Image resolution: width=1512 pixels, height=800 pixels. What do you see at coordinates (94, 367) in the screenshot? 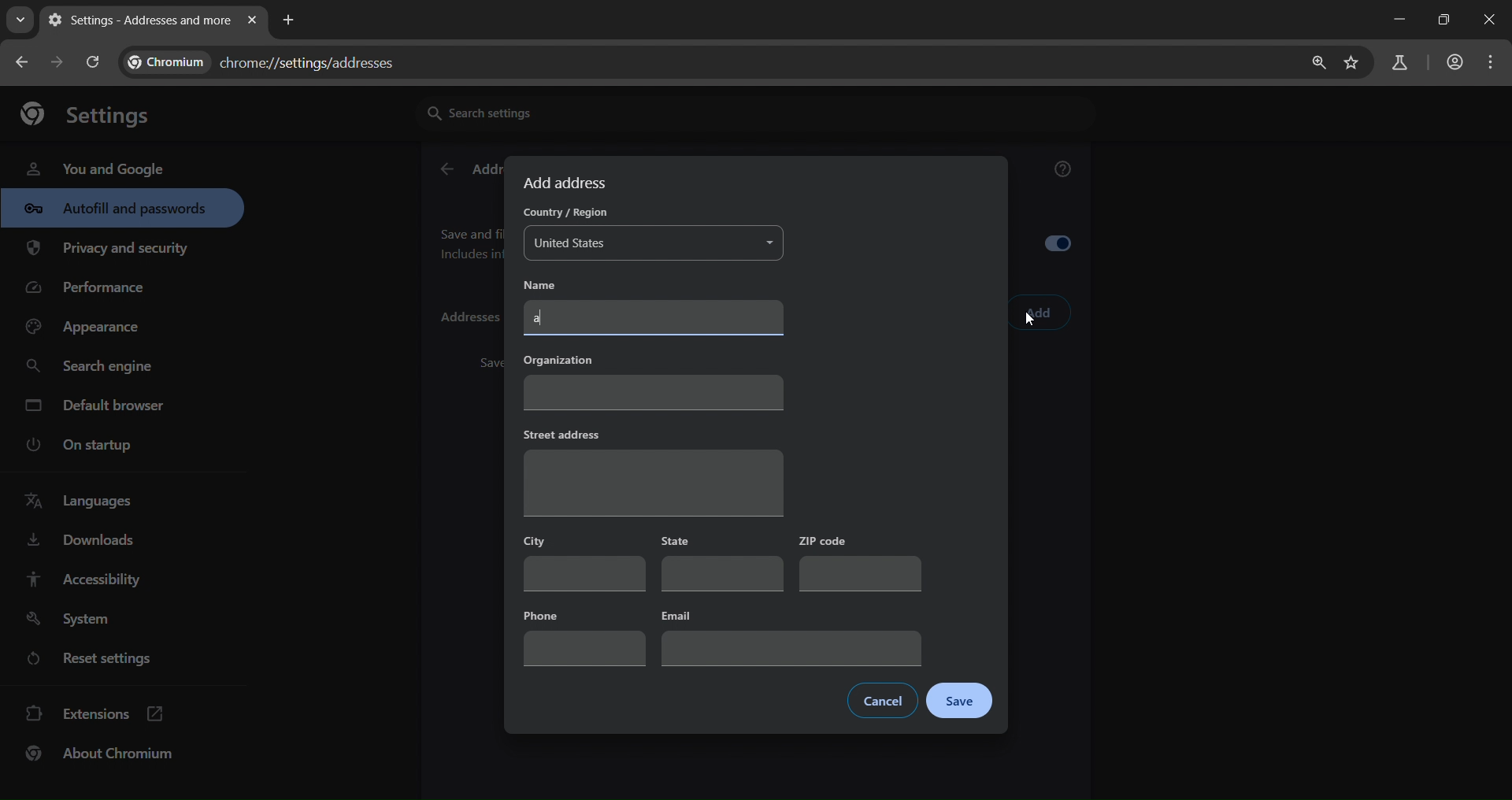
I see `search engine` at bounding box center [94, 367].